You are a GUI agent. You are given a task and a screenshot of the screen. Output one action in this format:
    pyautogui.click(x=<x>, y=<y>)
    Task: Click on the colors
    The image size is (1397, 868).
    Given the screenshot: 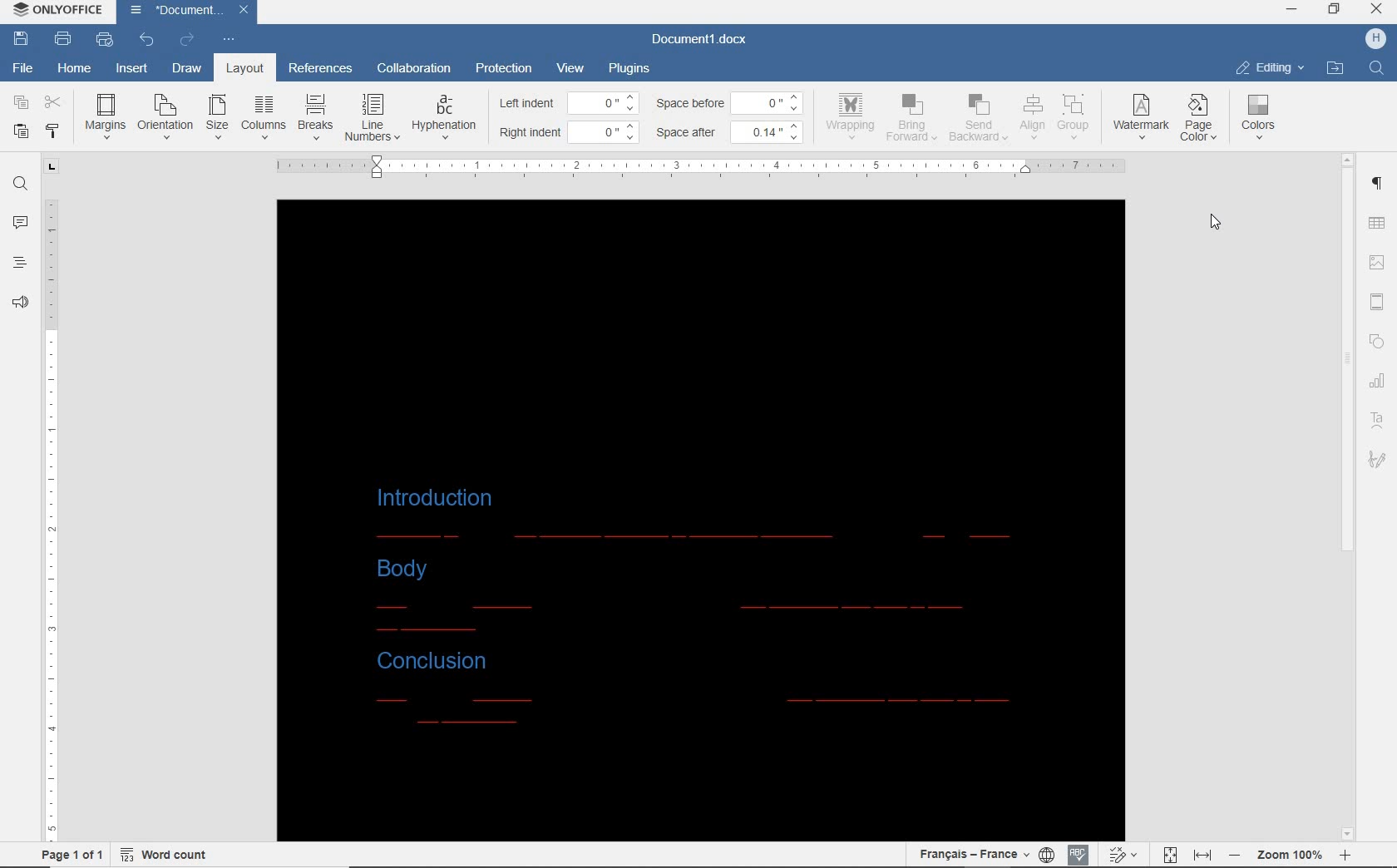 What is the action you would take?
    pyautogui.click(x=1259, y=122)
    